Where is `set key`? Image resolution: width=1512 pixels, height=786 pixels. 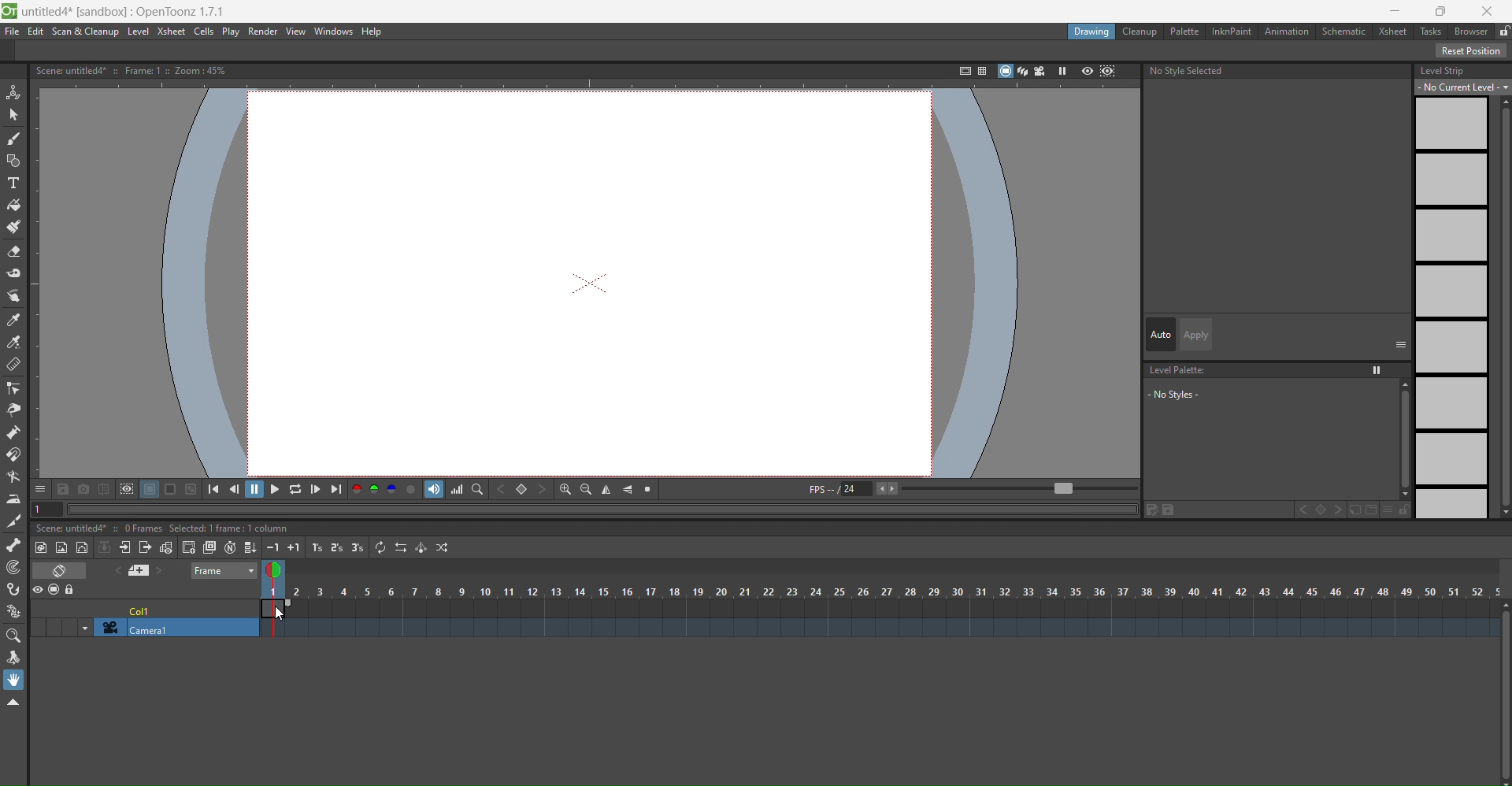 set key is located at coordinates (1320, 510).